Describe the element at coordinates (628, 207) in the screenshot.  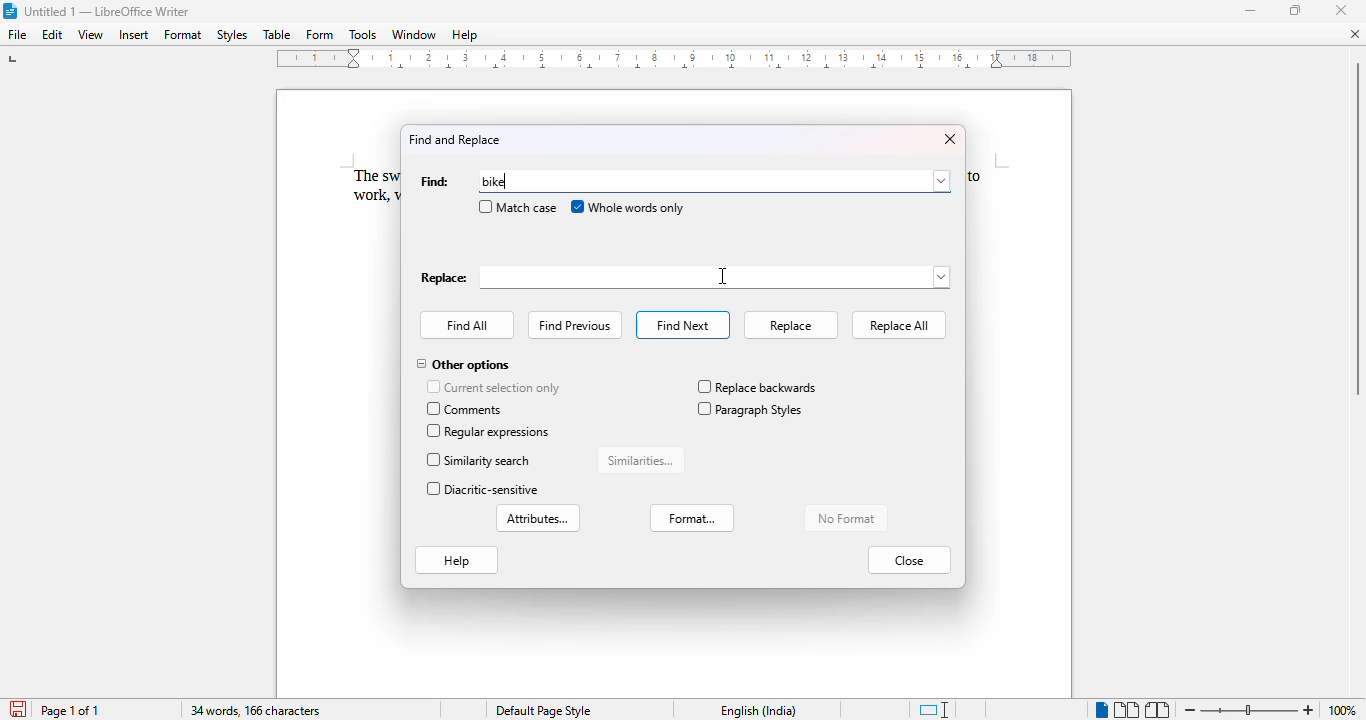
I see `whole words only` at that location.